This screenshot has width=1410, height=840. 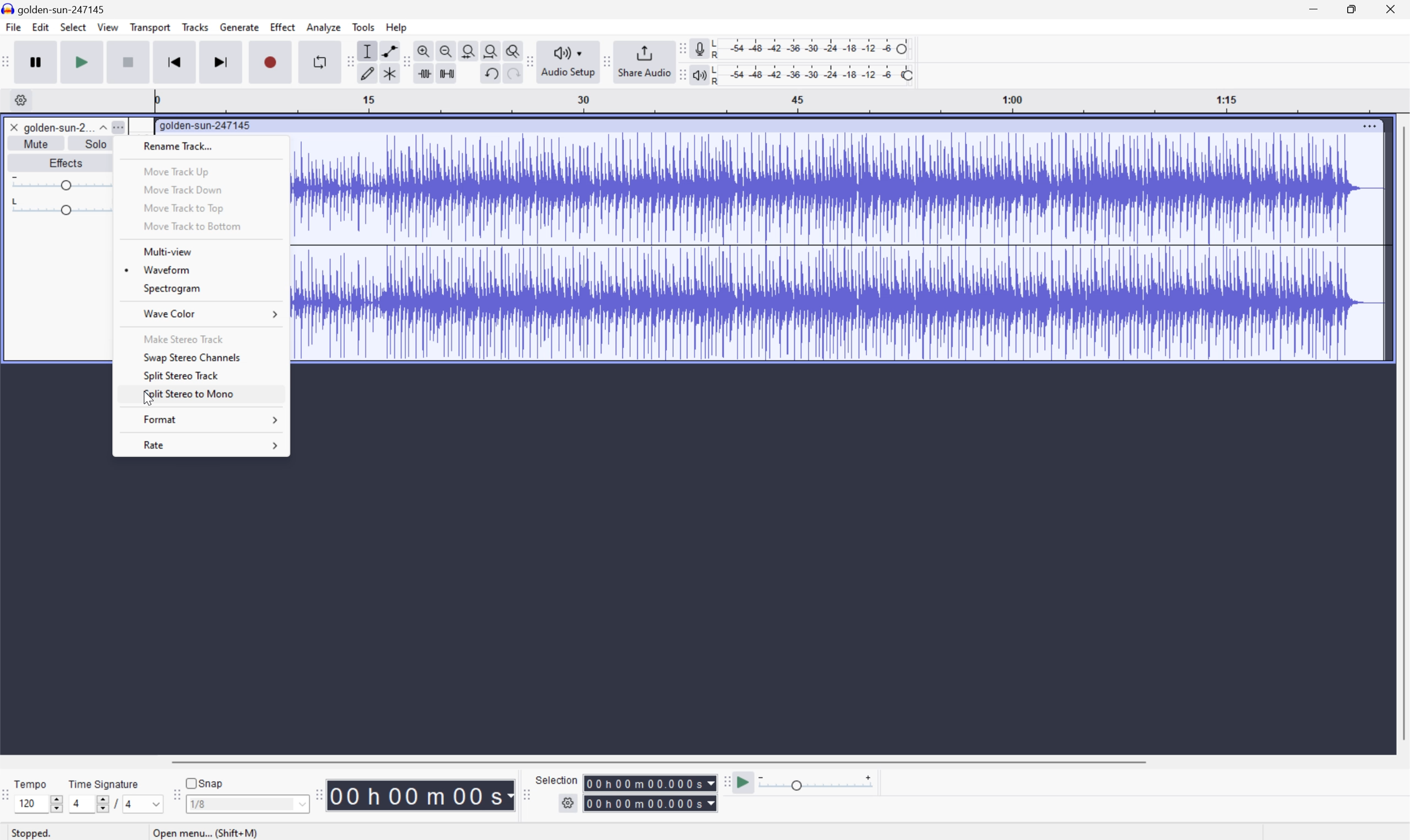 I want to click on Restore Down, so click(x=1351, y=8).